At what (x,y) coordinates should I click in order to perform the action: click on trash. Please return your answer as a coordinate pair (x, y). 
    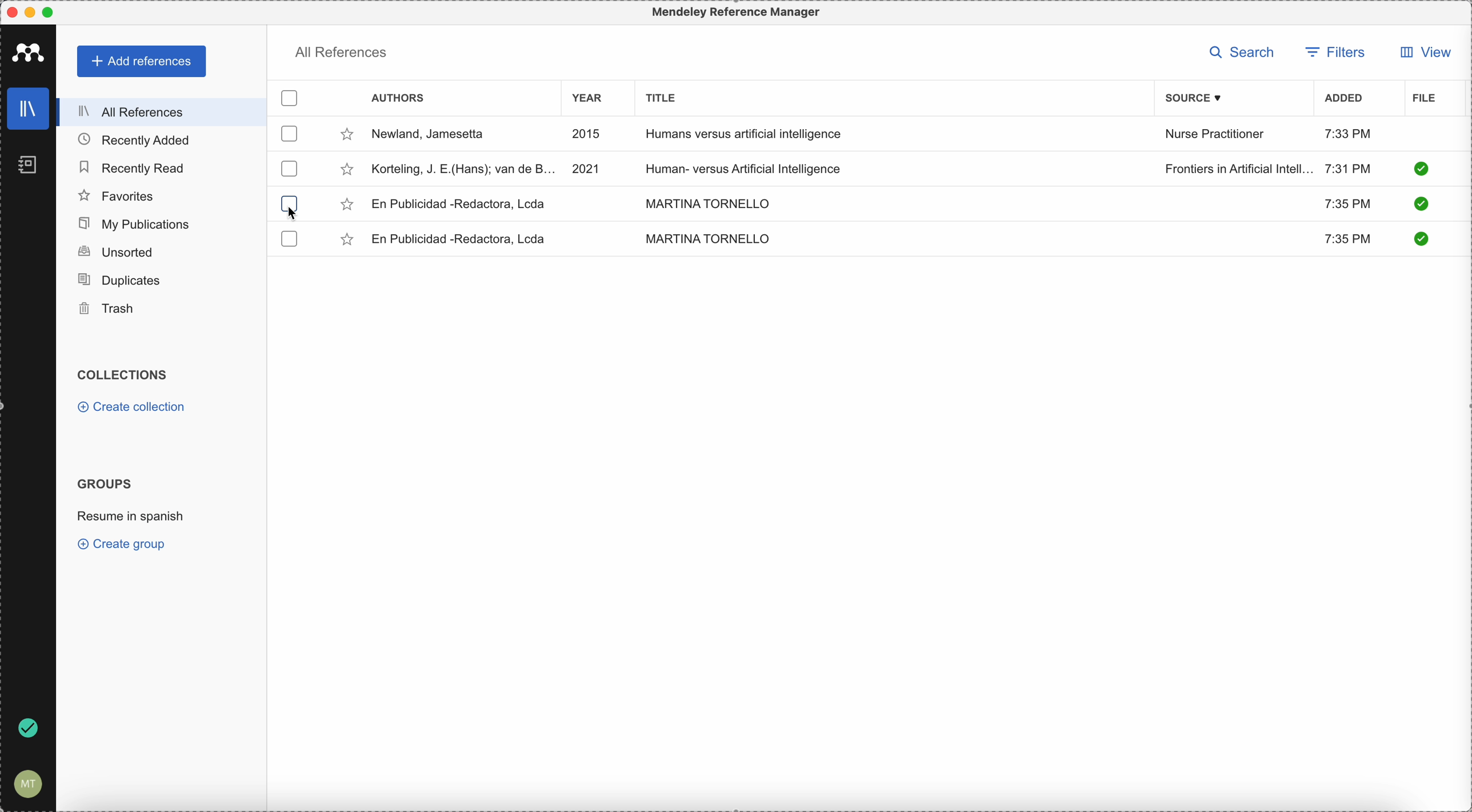
    Looking at the image, I should click on (109, 309).